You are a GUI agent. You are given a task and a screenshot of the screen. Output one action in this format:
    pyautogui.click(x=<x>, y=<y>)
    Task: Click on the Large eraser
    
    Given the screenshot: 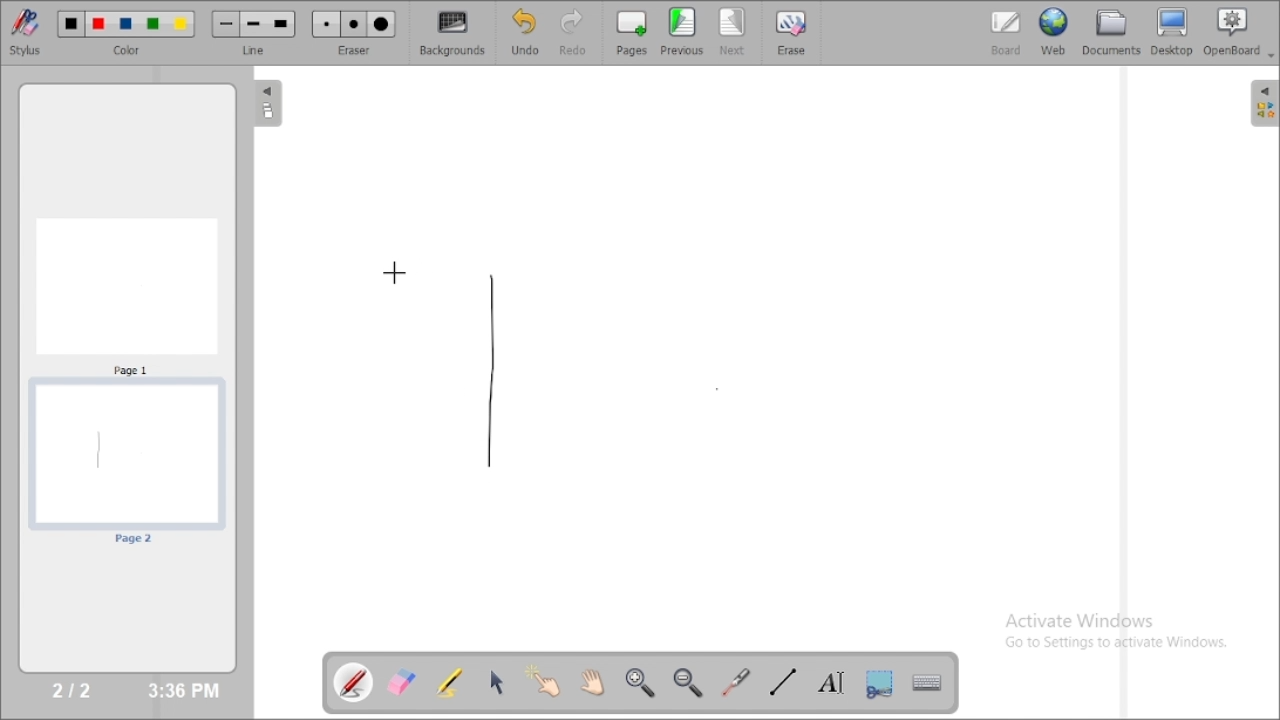 What is the action you would take?
    pyautogui.click(x=382, y=25)
    